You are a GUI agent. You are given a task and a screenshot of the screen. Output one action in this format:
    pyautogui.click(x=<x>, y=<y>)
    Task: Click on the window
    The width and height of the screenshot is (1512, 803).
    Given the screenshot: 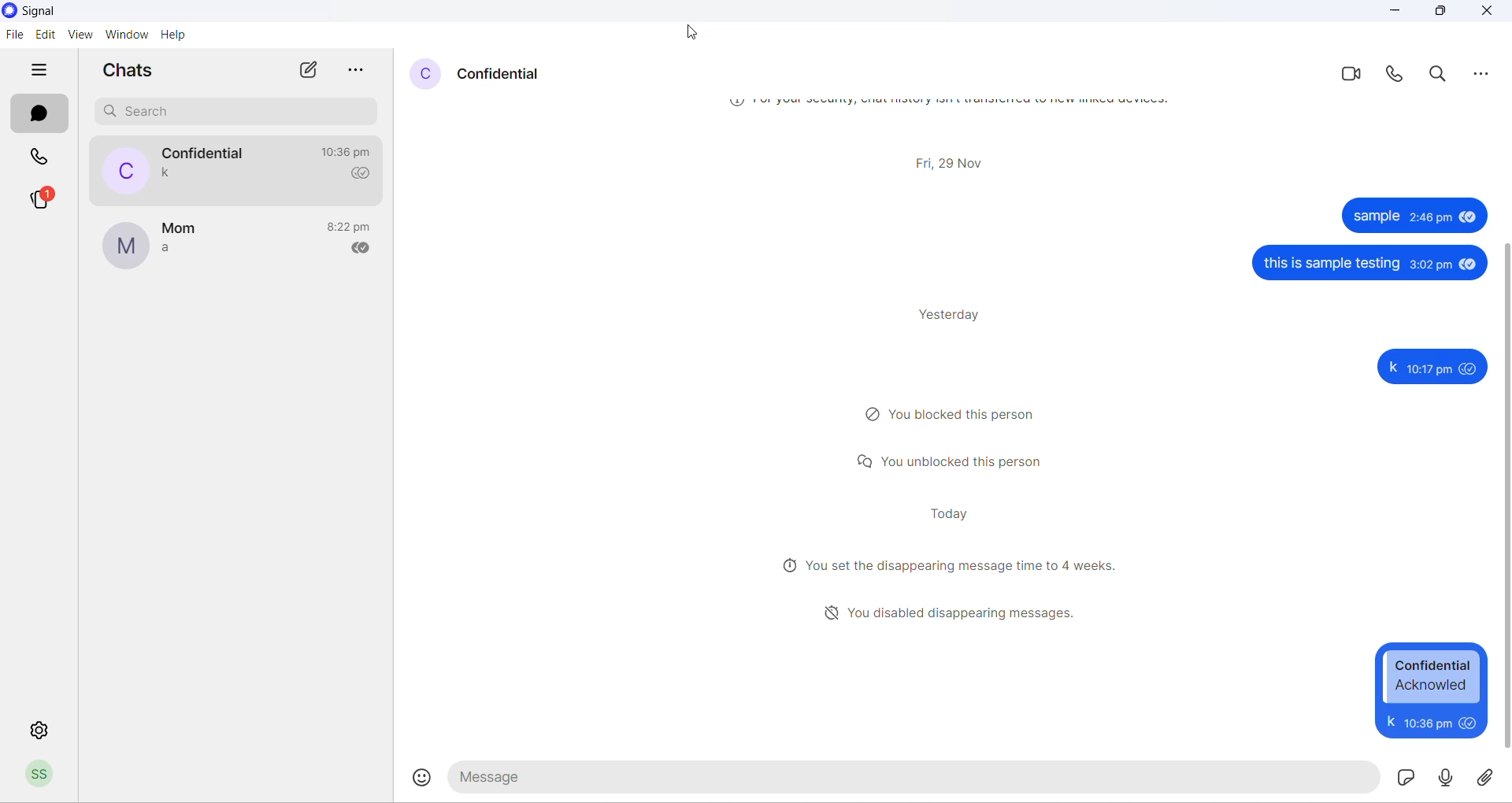 What is the action you would take?
    pyautogui.click(x=126, y=37)
    